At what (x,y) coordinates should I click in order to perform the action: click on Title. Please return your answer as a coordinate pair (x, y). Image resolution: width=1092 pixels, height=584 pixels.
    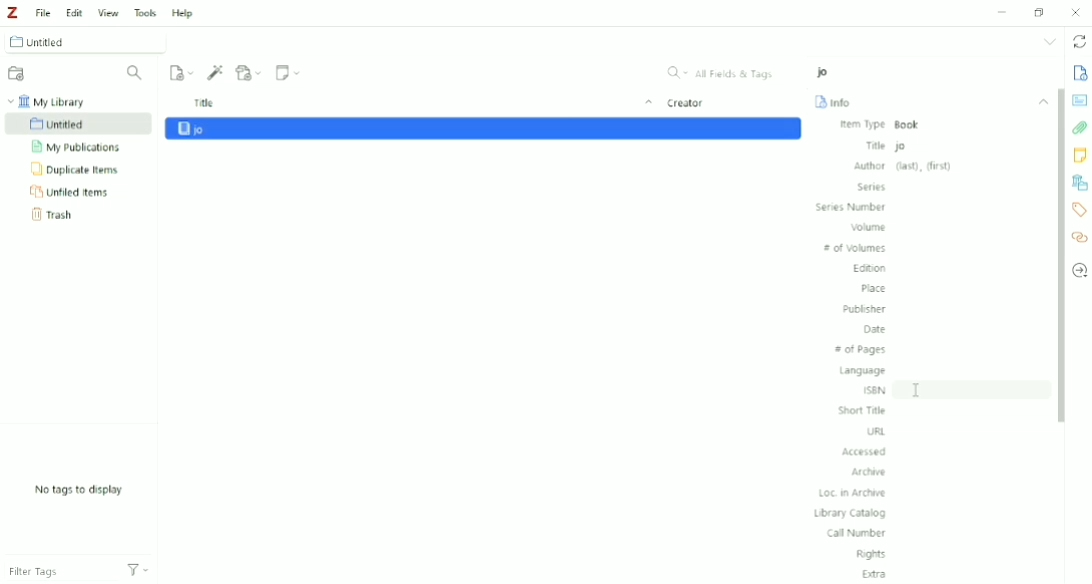
    Looking at the image, I should click on (420, 103).